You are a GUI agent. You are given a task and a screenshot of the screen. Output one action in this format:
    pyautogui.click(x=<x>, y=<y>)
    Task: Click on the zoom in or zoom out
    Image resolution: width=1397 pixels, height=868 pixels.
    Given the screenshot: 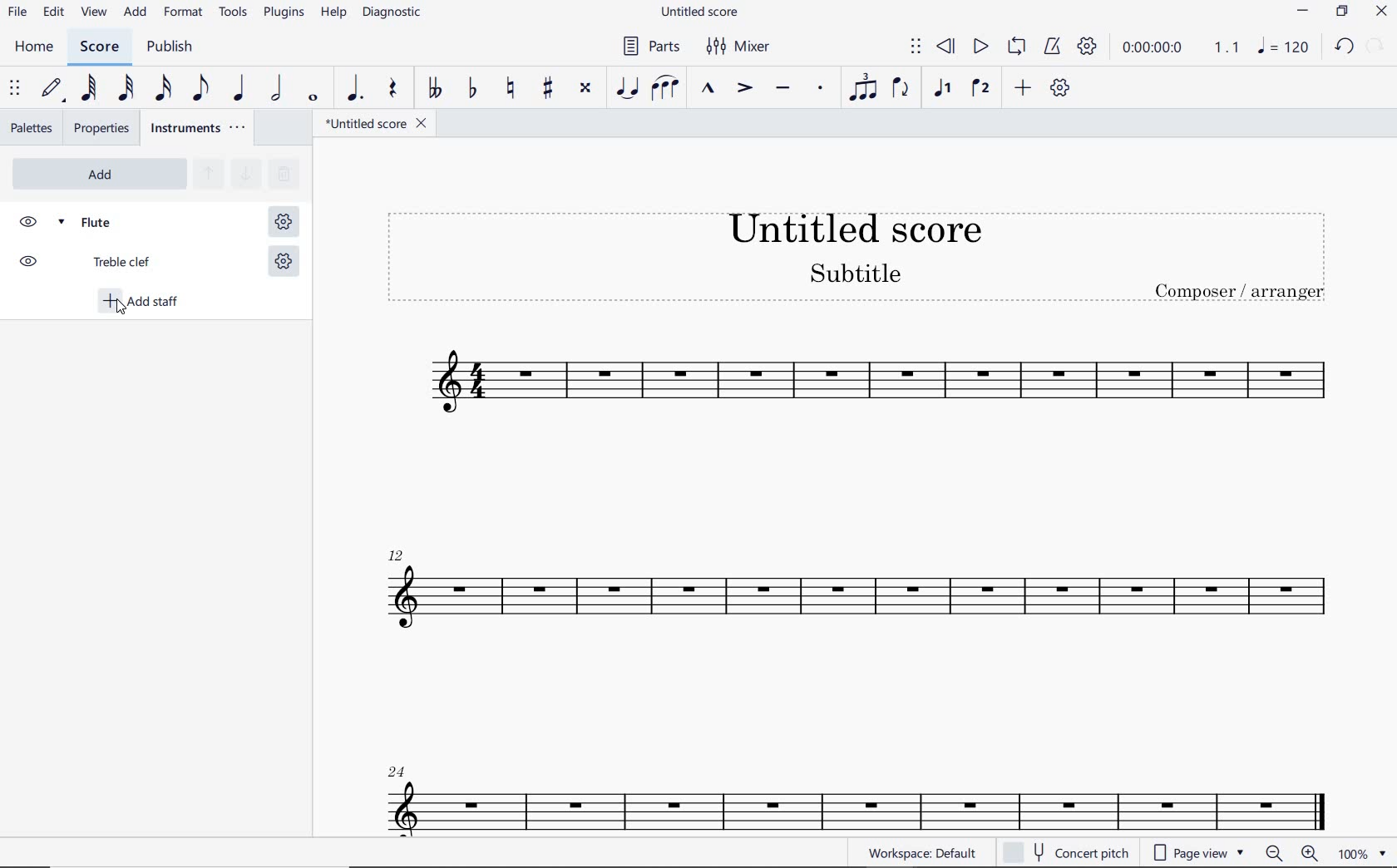 What is the action you would take?
    pyautogui.click(x=1288, y=853)
    